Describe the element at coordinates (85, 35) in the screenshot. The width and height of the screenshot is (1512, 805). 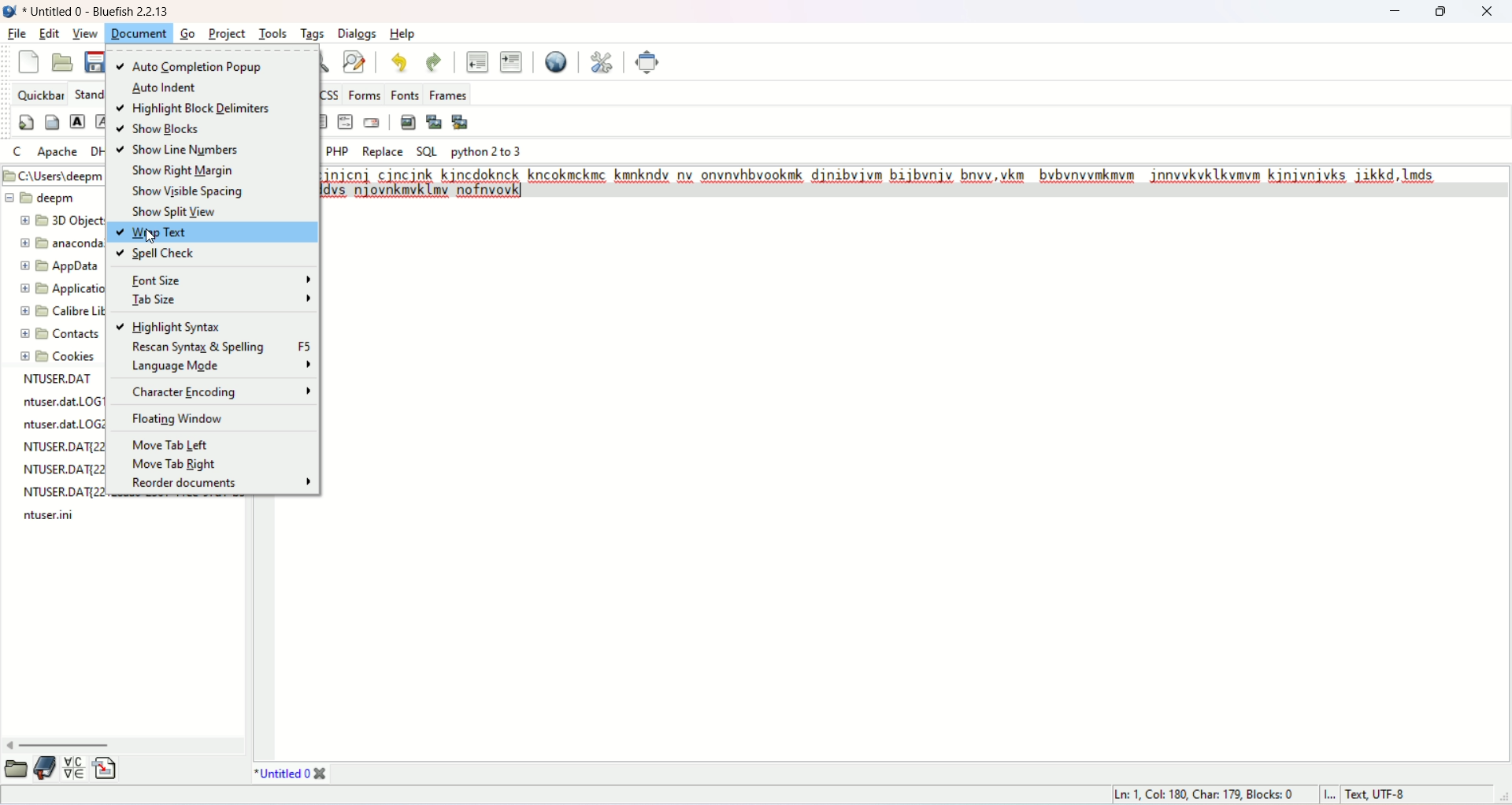
I see `View` at that location.